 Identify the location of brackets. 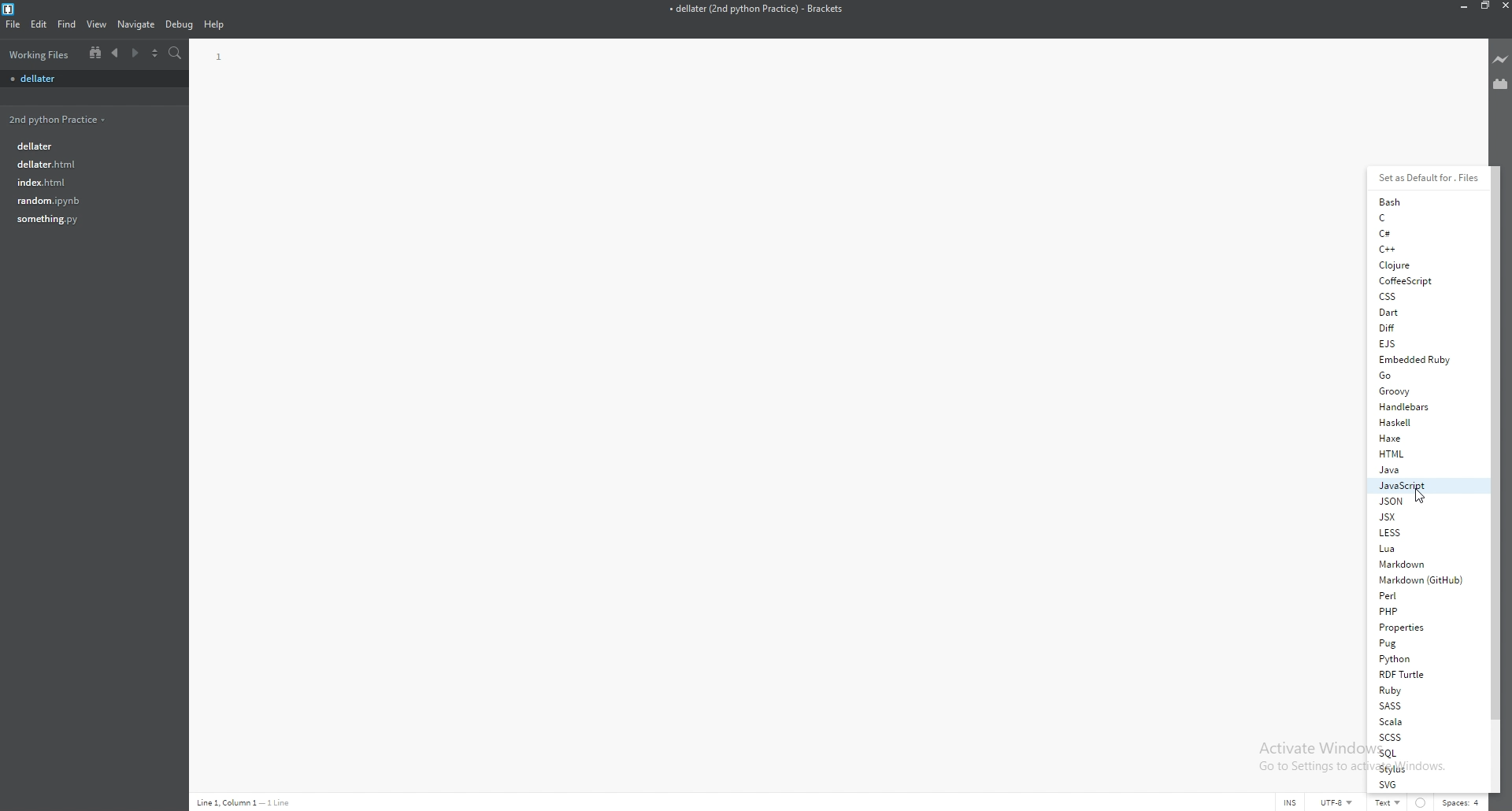
(9, 9).